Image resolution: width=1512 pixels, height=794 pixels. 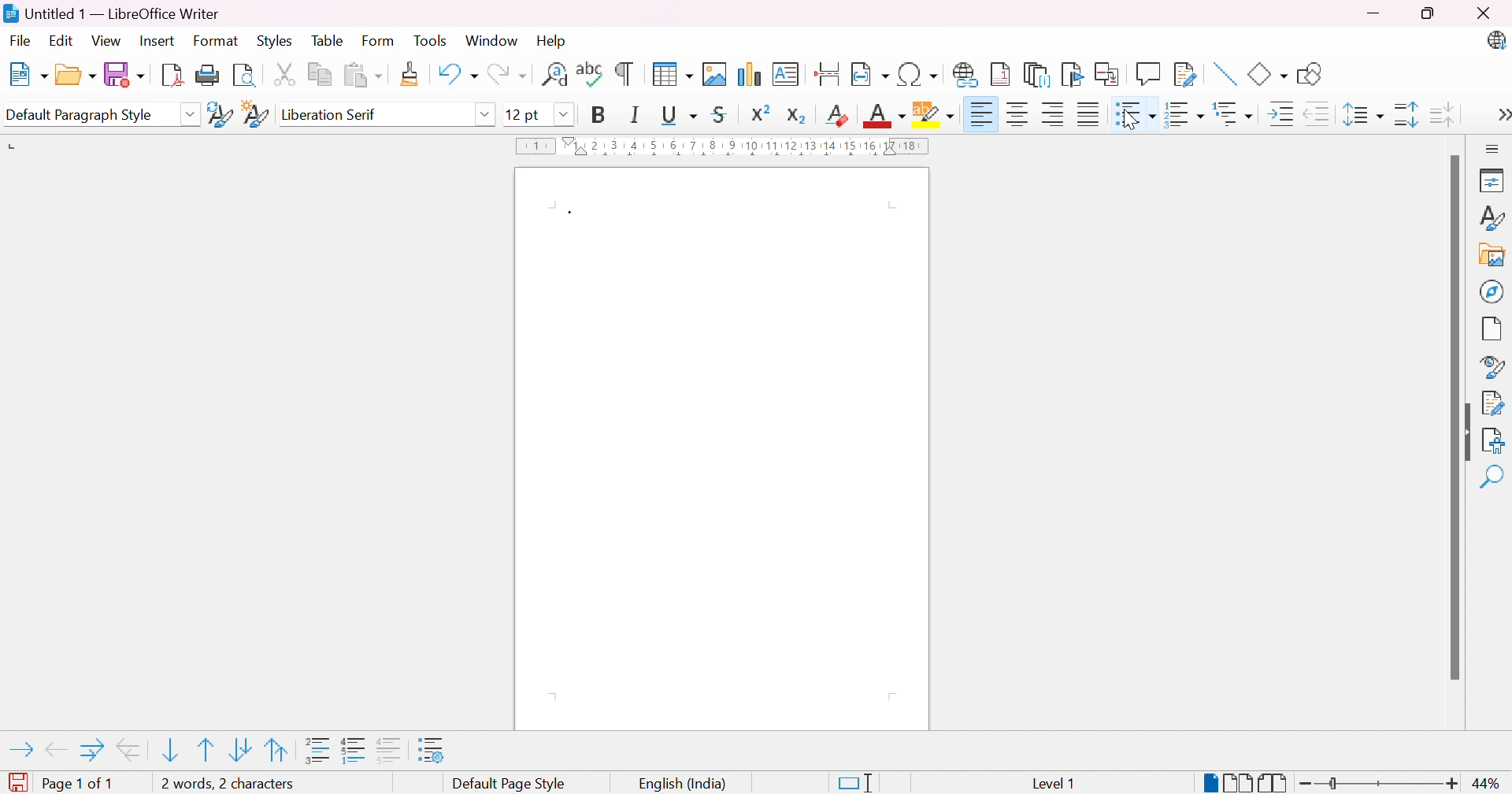 What do you see at coordinates (23, 42) in the screenshot?
I see `File` at bounding box center [23, 42].